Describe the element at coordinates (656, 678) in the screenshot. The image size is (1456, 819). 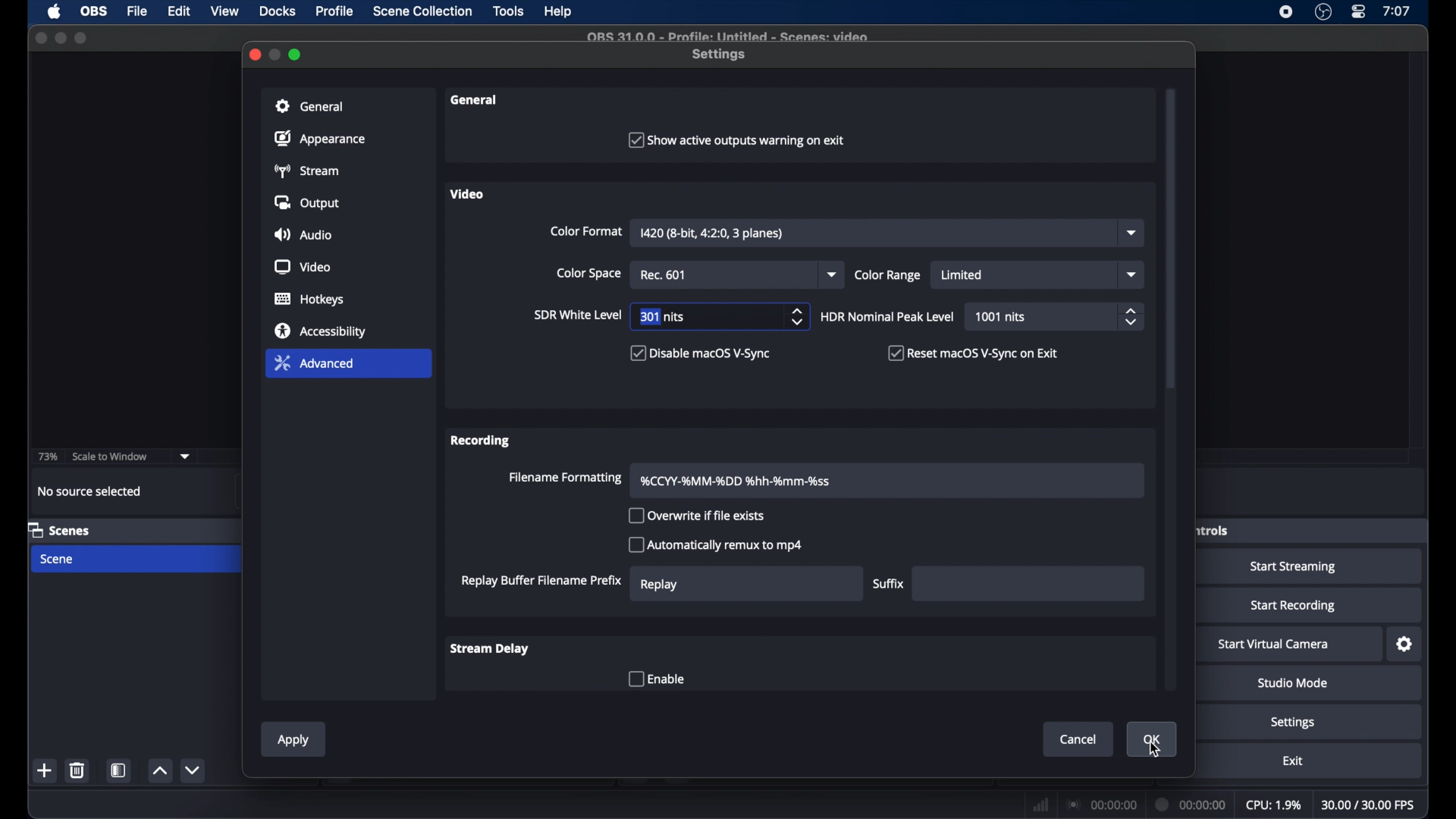
I see `checkbox` at that location.